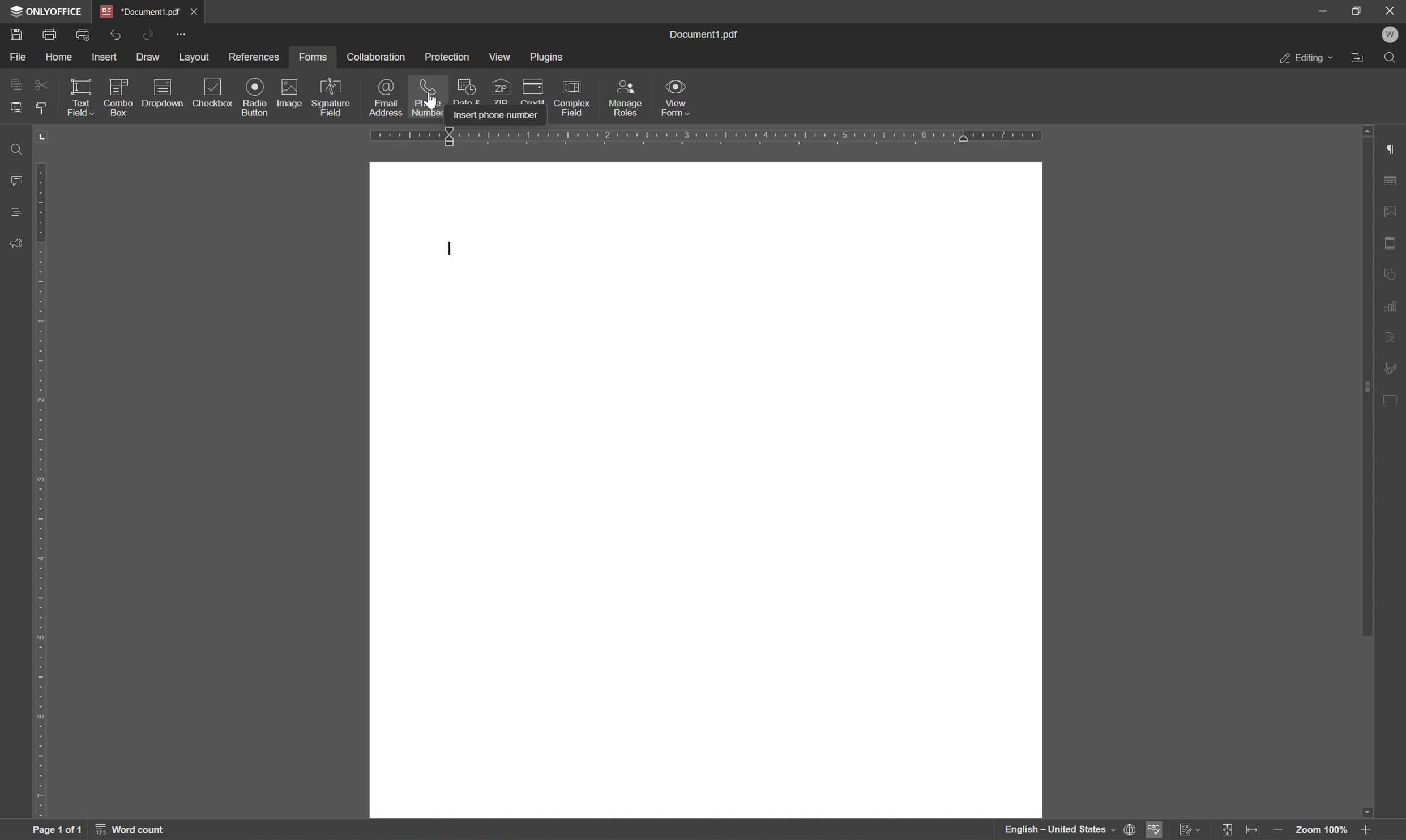 This screenshot has height=840, width=1406. What do you see at coordinates (536, 91) in the screenshot?
I see `icon` at bounding box center [536, 91].